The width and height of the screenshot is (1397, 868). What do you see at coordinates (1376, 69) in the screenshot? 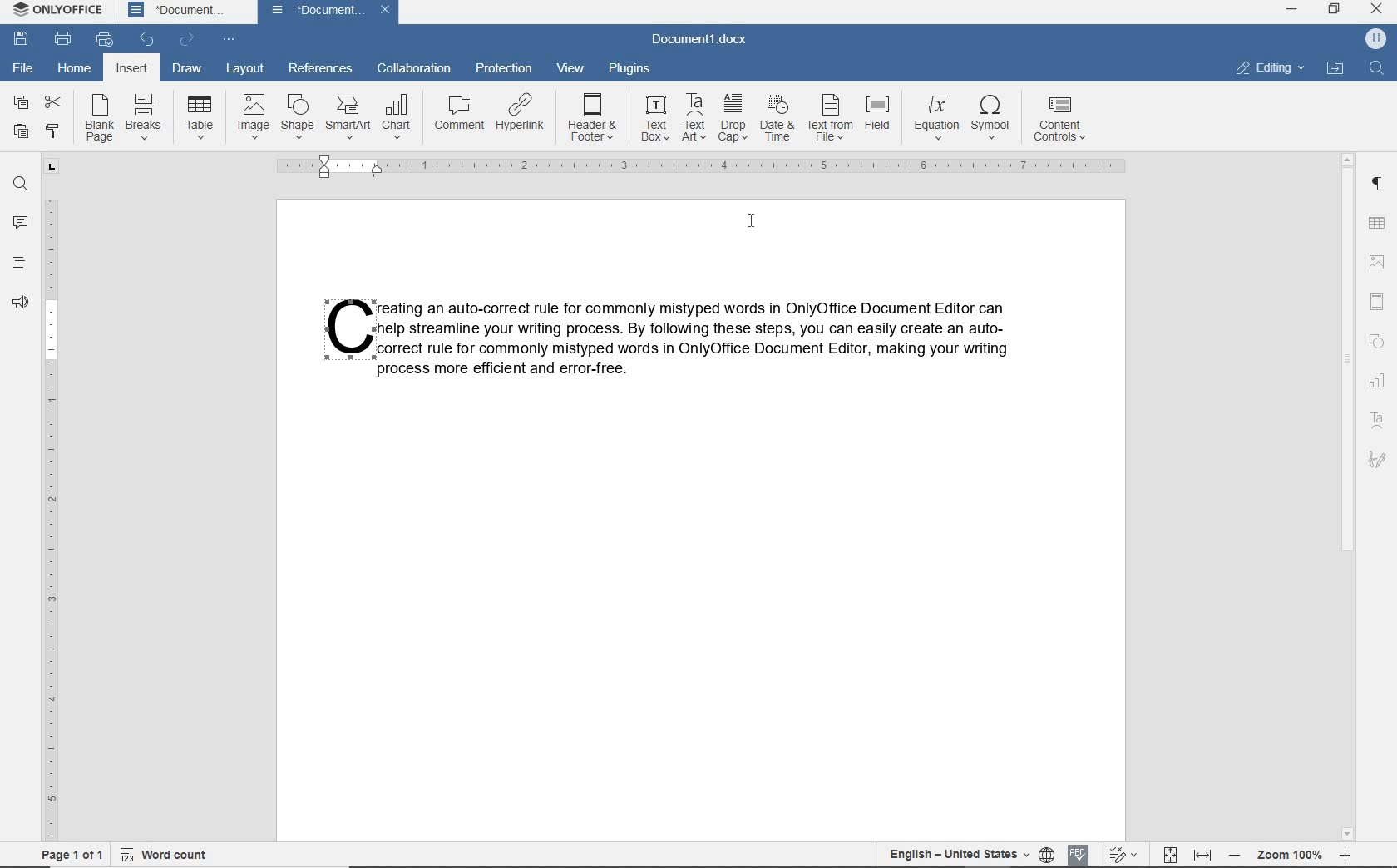
I see `find` at bounding box center [1376, 69].